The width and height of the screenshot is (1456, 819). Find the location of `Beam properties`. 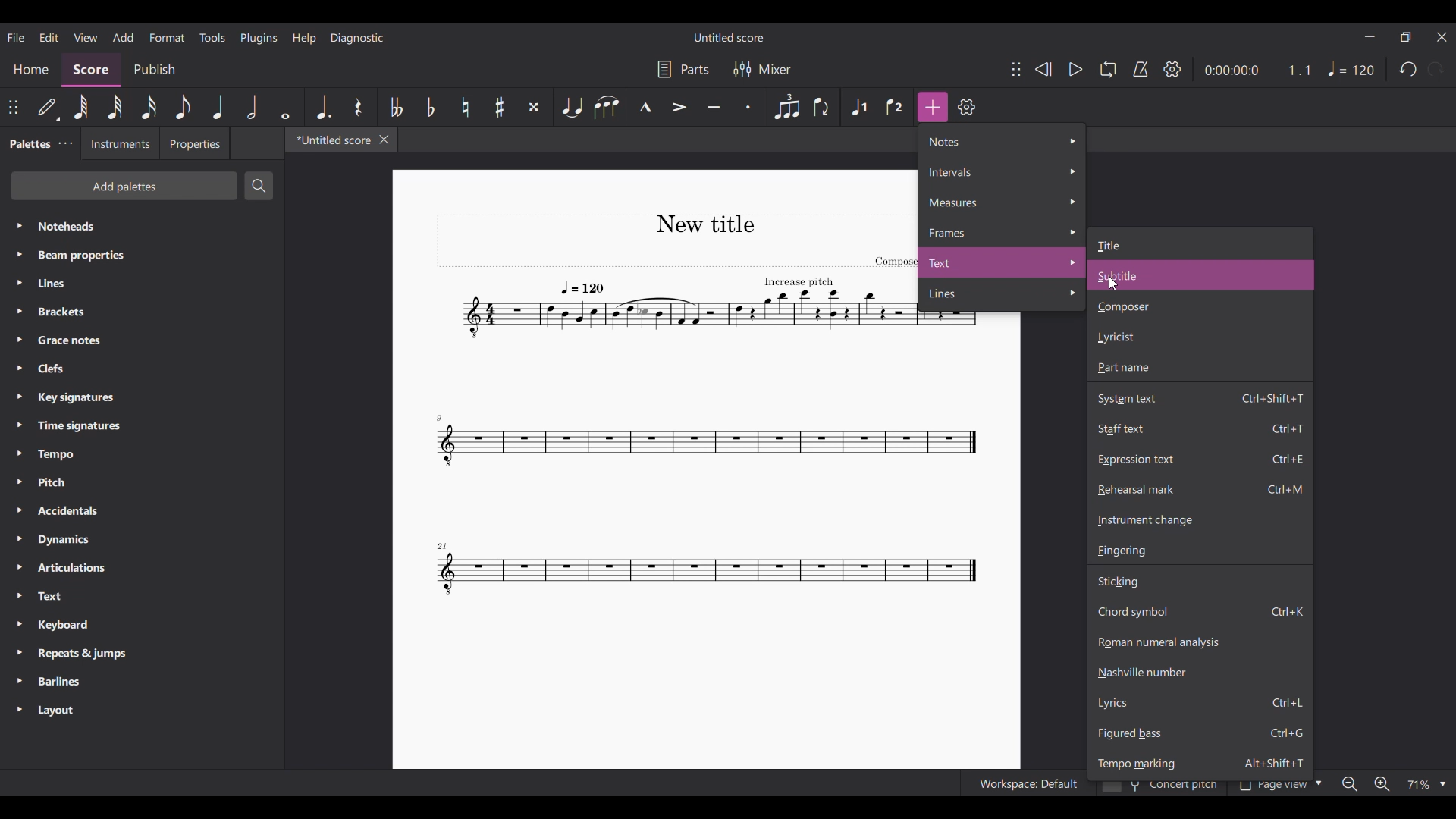

Beam properties is located at coordinates (141, 255).